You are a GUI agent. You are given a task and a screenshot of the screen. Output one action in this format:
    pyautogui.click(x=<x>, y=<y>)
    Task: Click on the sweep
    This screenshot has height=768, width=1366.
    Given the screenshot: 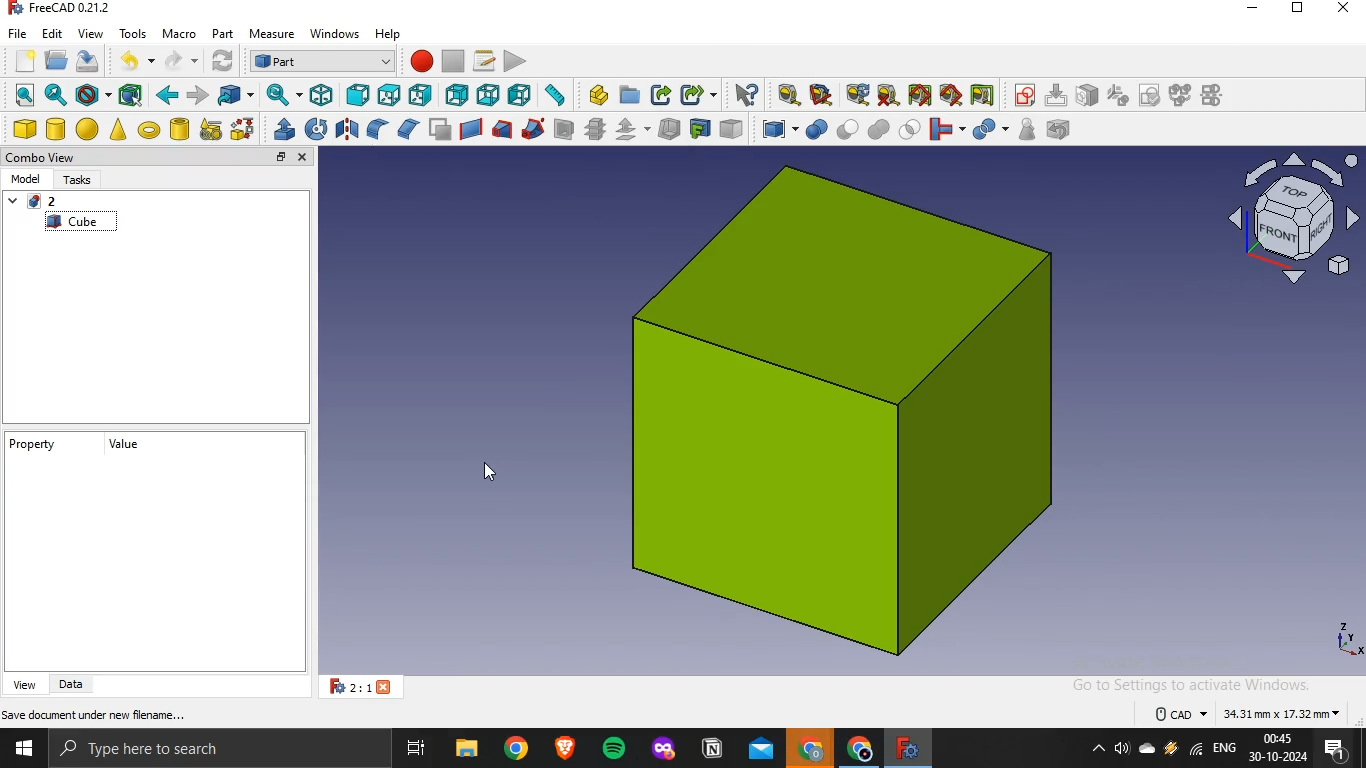 What is the action you would take?
    pyautogui.click(x=532, y=129)
    